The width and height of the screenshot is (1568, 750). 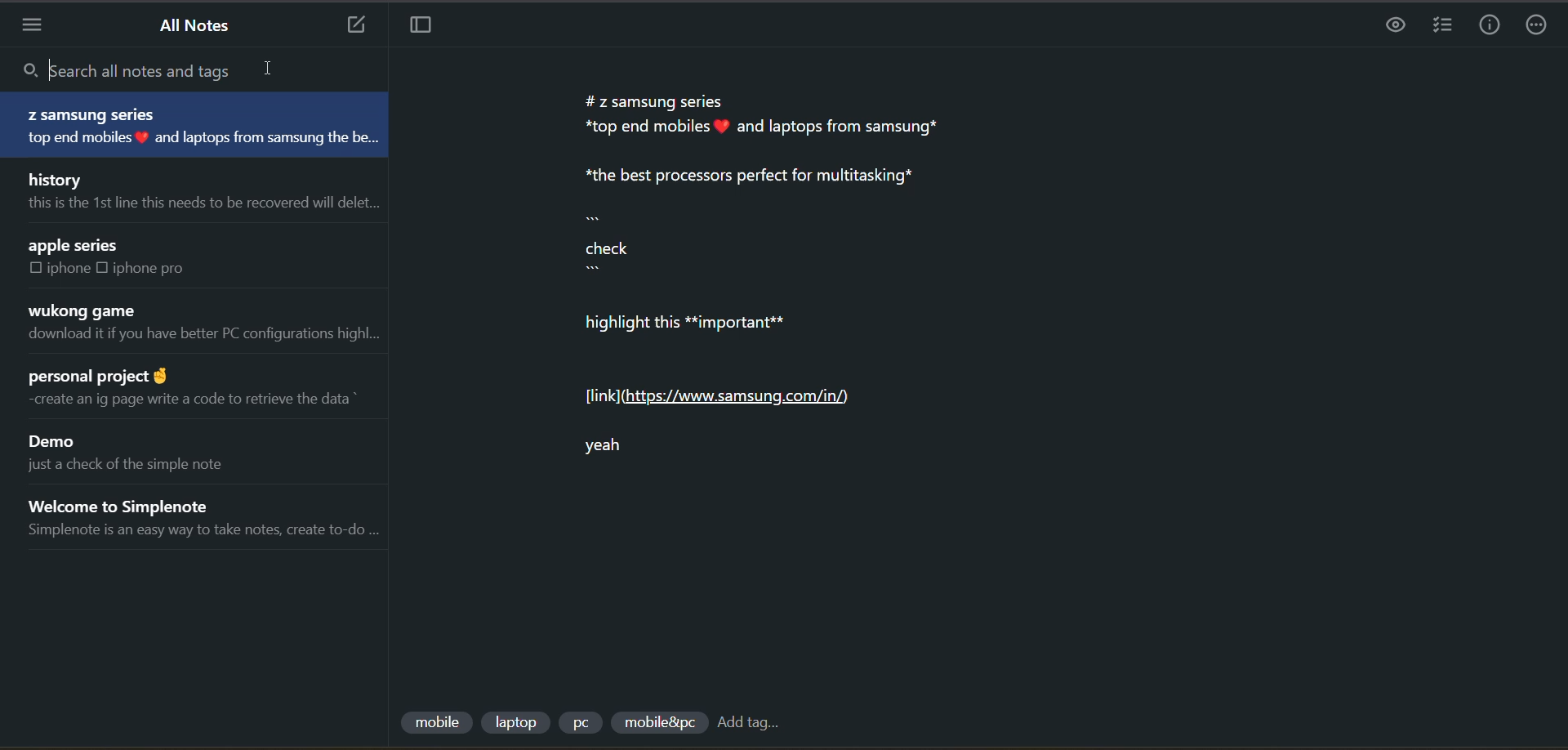 I want to click on Welcome to Simplenote, so click(x=133, y=502).